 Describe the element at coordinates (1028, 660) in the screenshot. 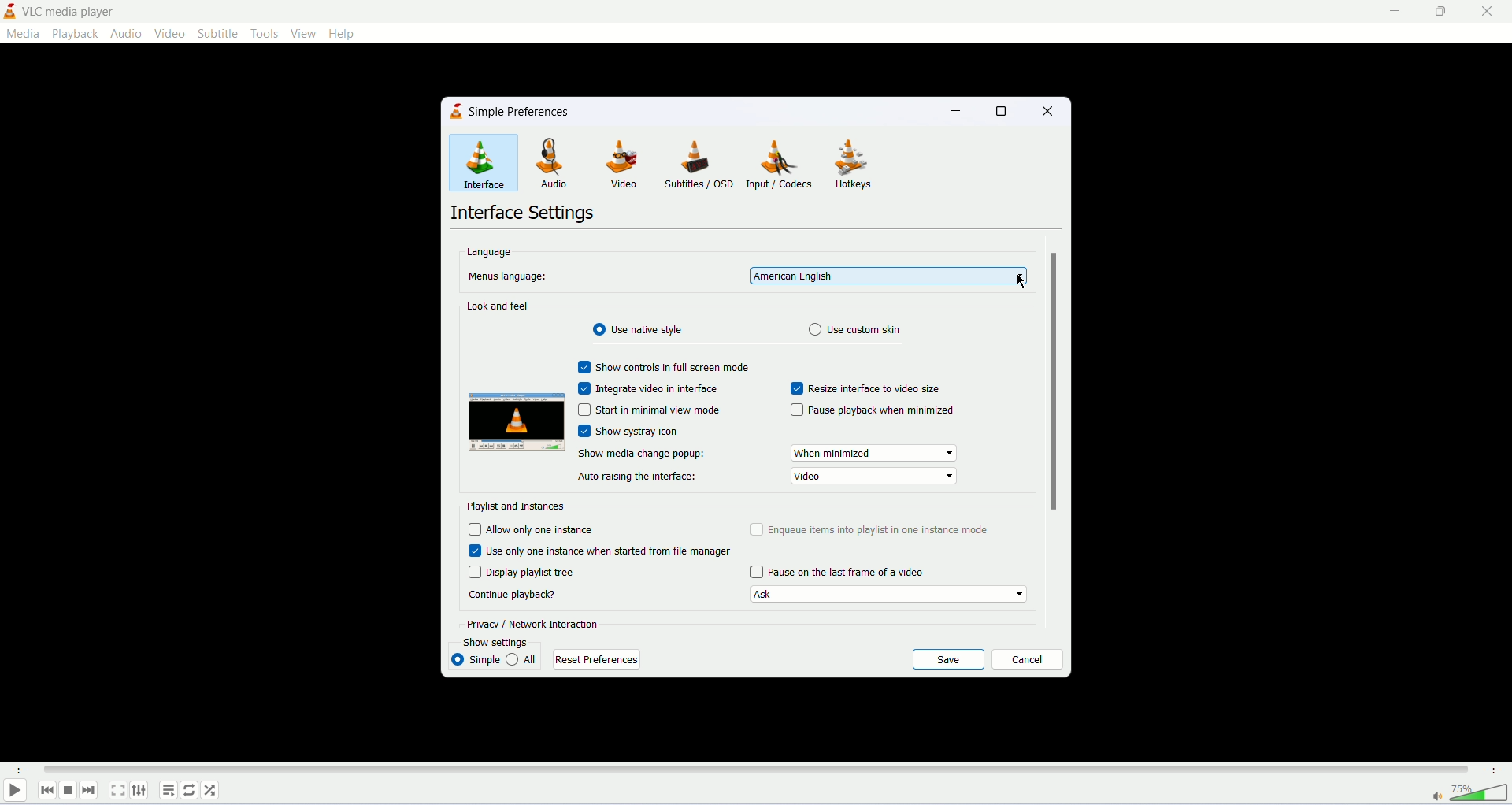

I see `cancel` at that location.